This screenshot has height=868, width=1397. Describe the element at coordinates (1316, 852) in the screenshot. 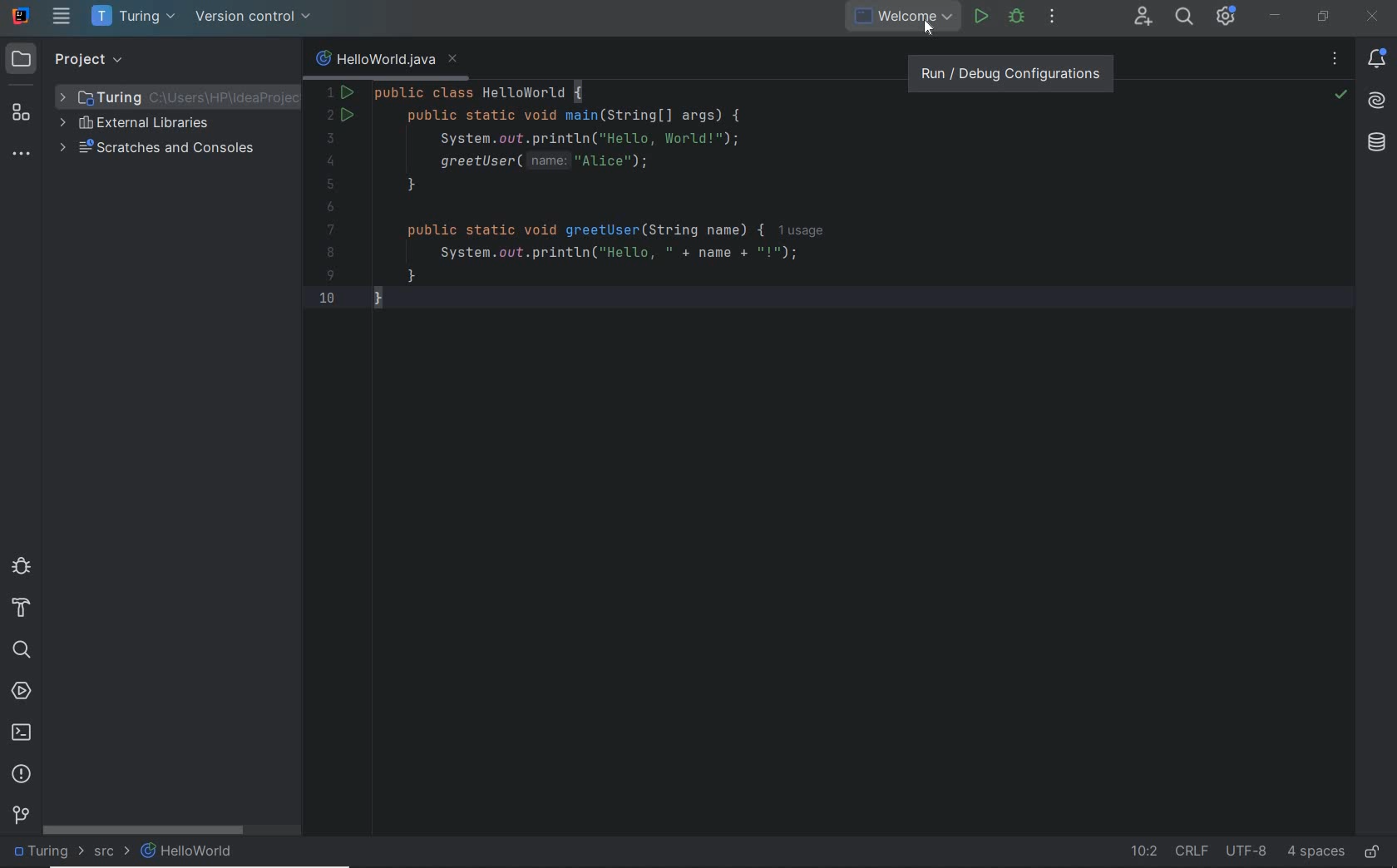

I see `indent` at that location.